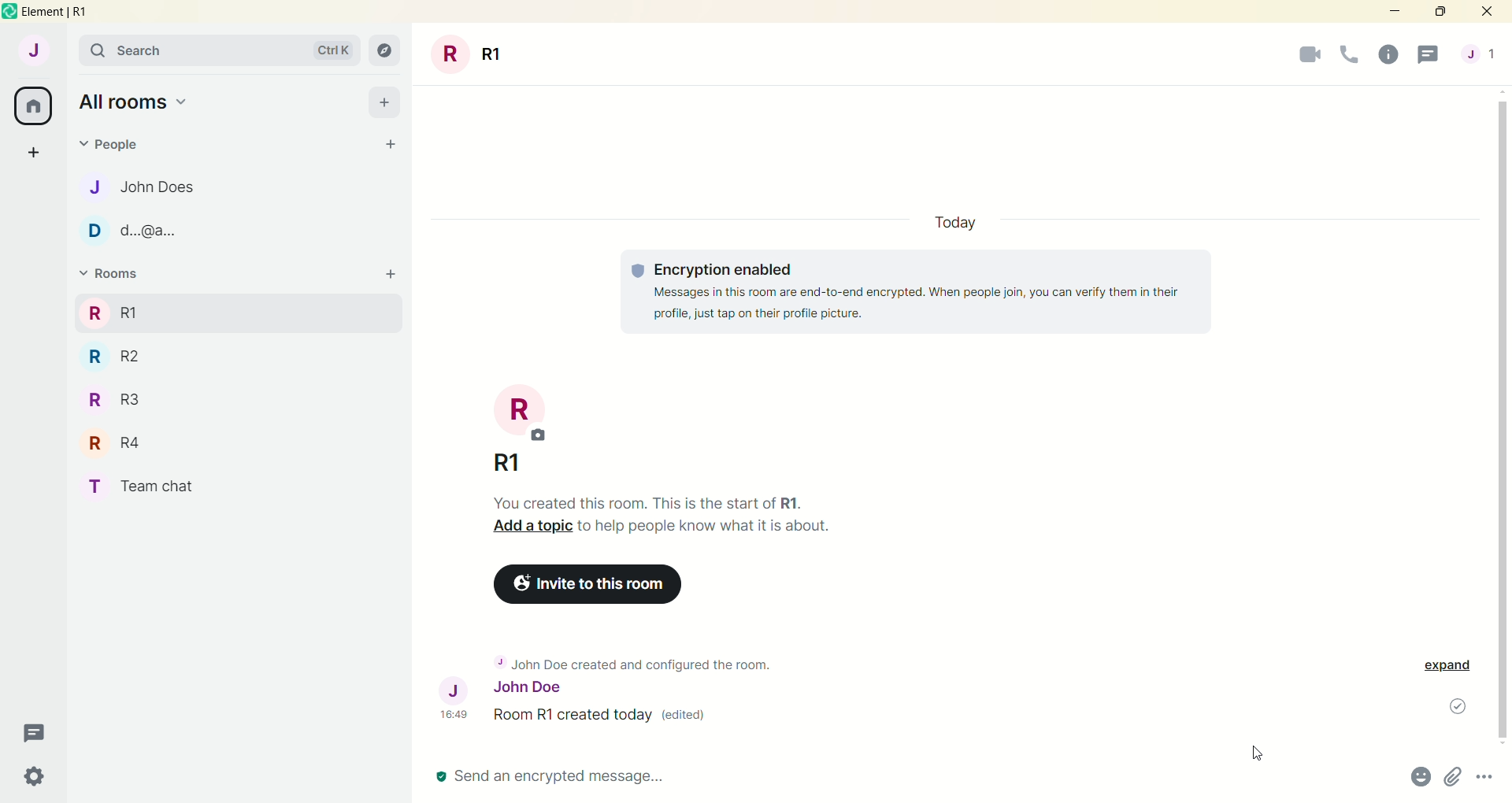  Describe the element at coordinates (1480, 53) in the screenshot. I see `people` at that location.